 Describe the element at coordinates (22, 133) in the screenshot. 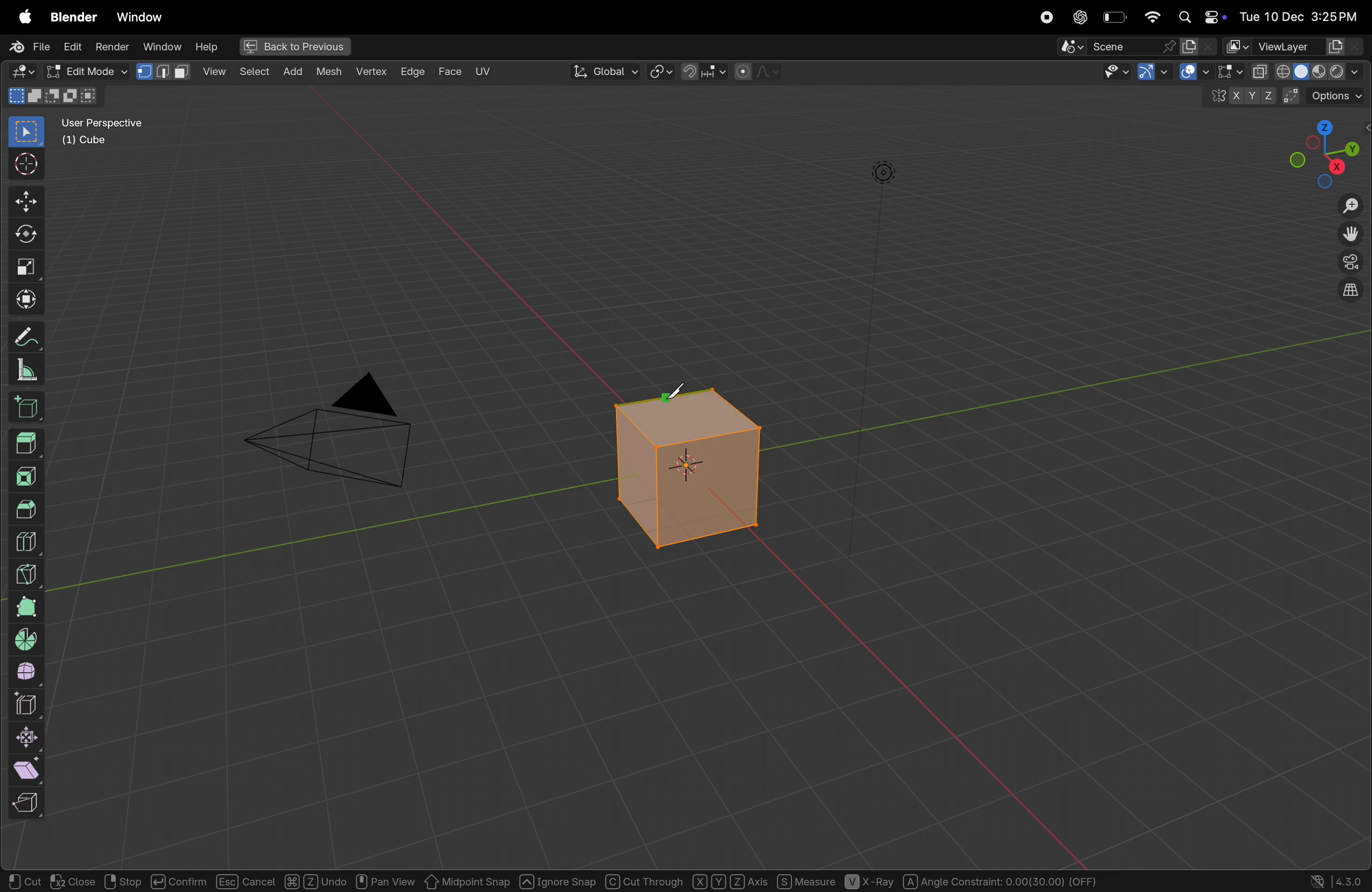

I see `select` at that location.